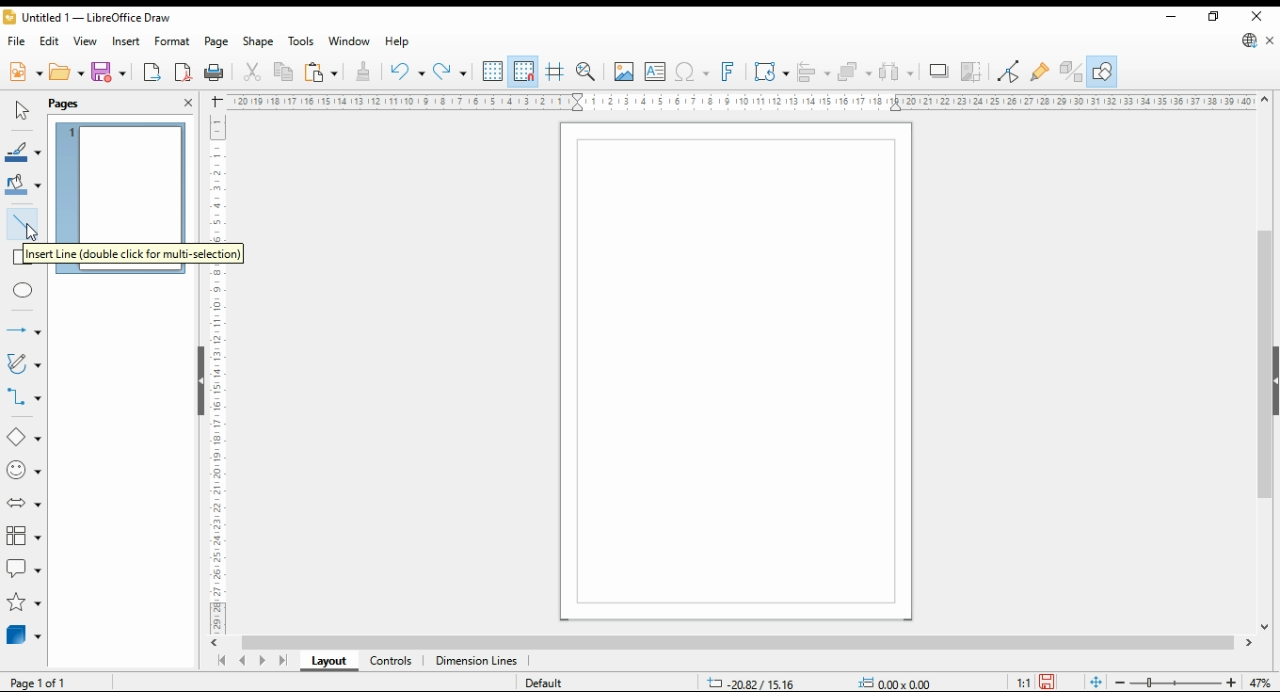 The width and height of the screenshot is (1280, 692). Describe the element at coordinates (1071, 72) in the screenshot. I see `toggle extrusions` at that location.